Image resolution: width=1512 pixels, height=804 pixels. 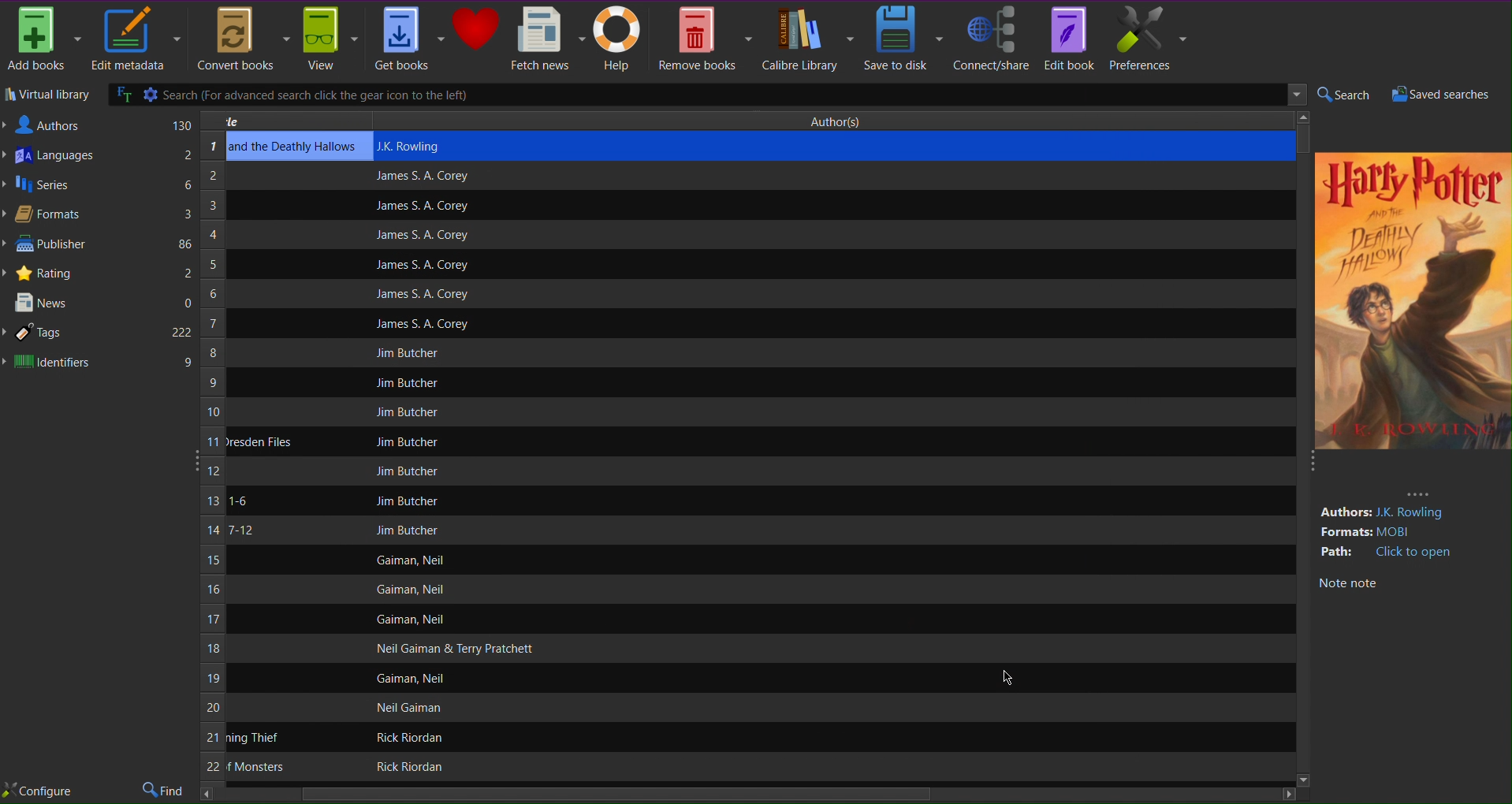 What do you see at coordinates (1415, 513) in the screenshot?
I see `JK. Rowling` at bounding box center [1415, 513].